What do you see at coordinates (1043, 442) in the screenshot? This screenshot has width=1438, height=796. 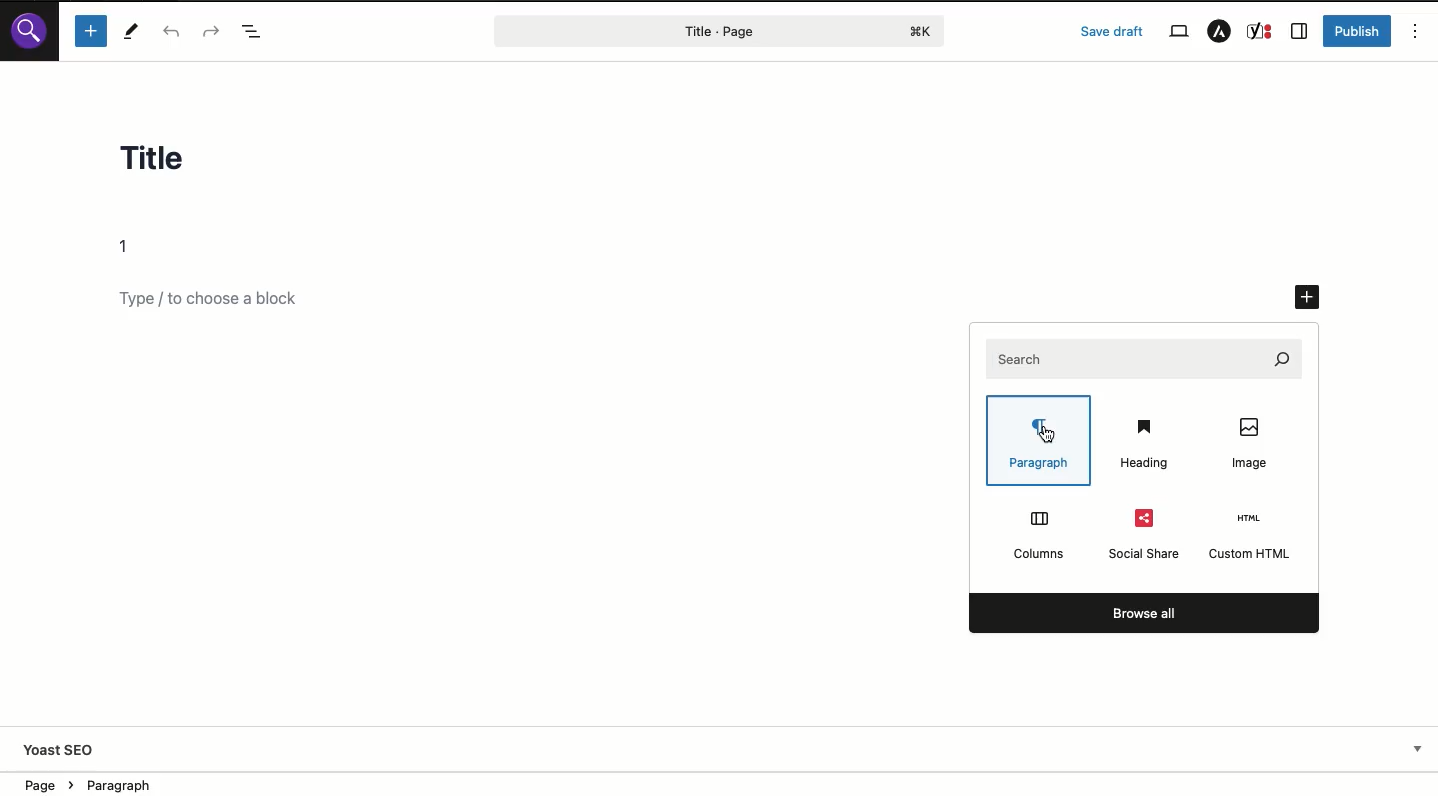 I see `Paragraph` at bounding box center [1043, 442].